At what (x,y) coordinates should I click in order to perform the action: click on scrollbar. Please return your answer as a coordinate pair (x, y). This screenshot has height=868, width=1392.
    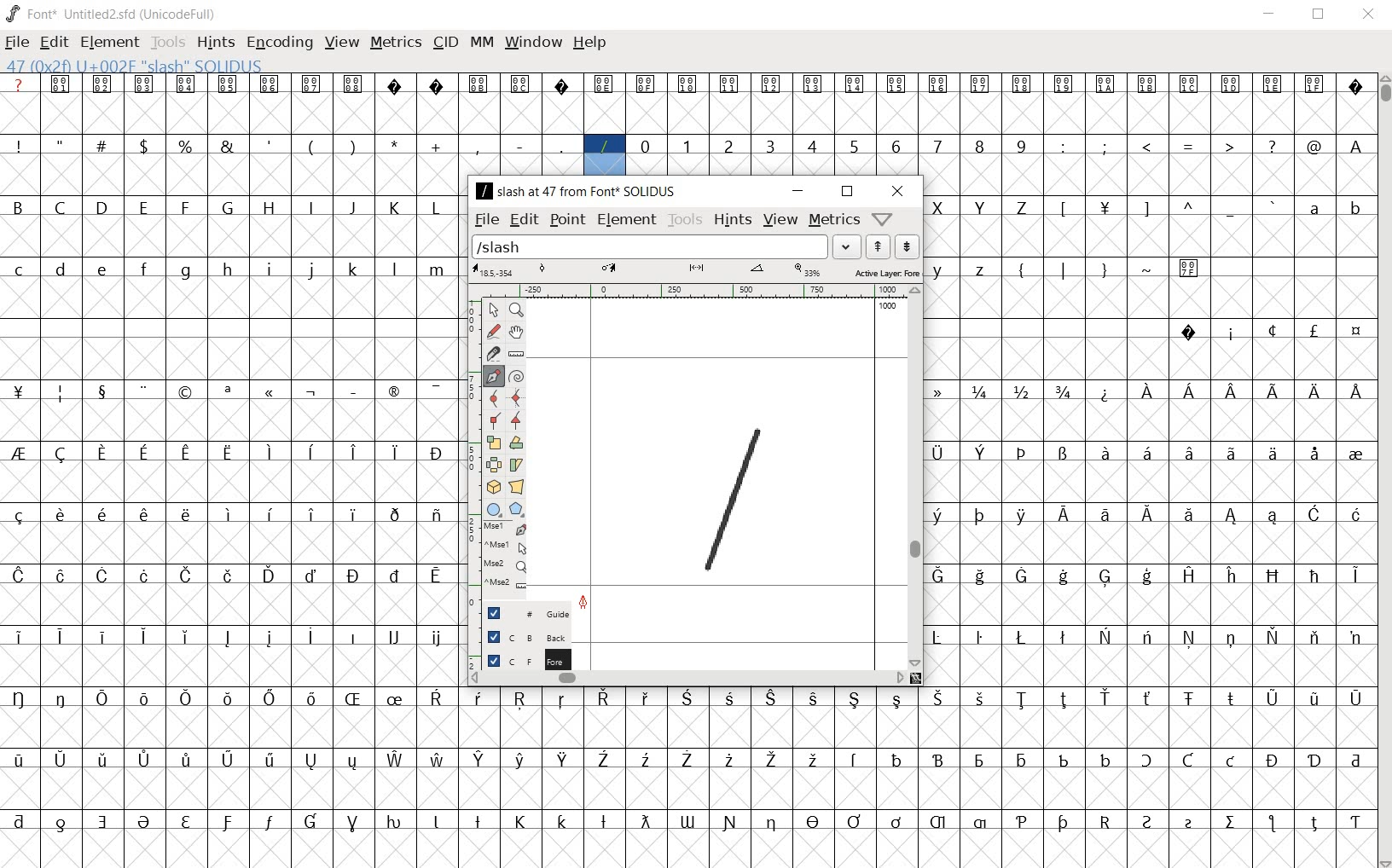
    Looking at the image, I should click on (686, 680).